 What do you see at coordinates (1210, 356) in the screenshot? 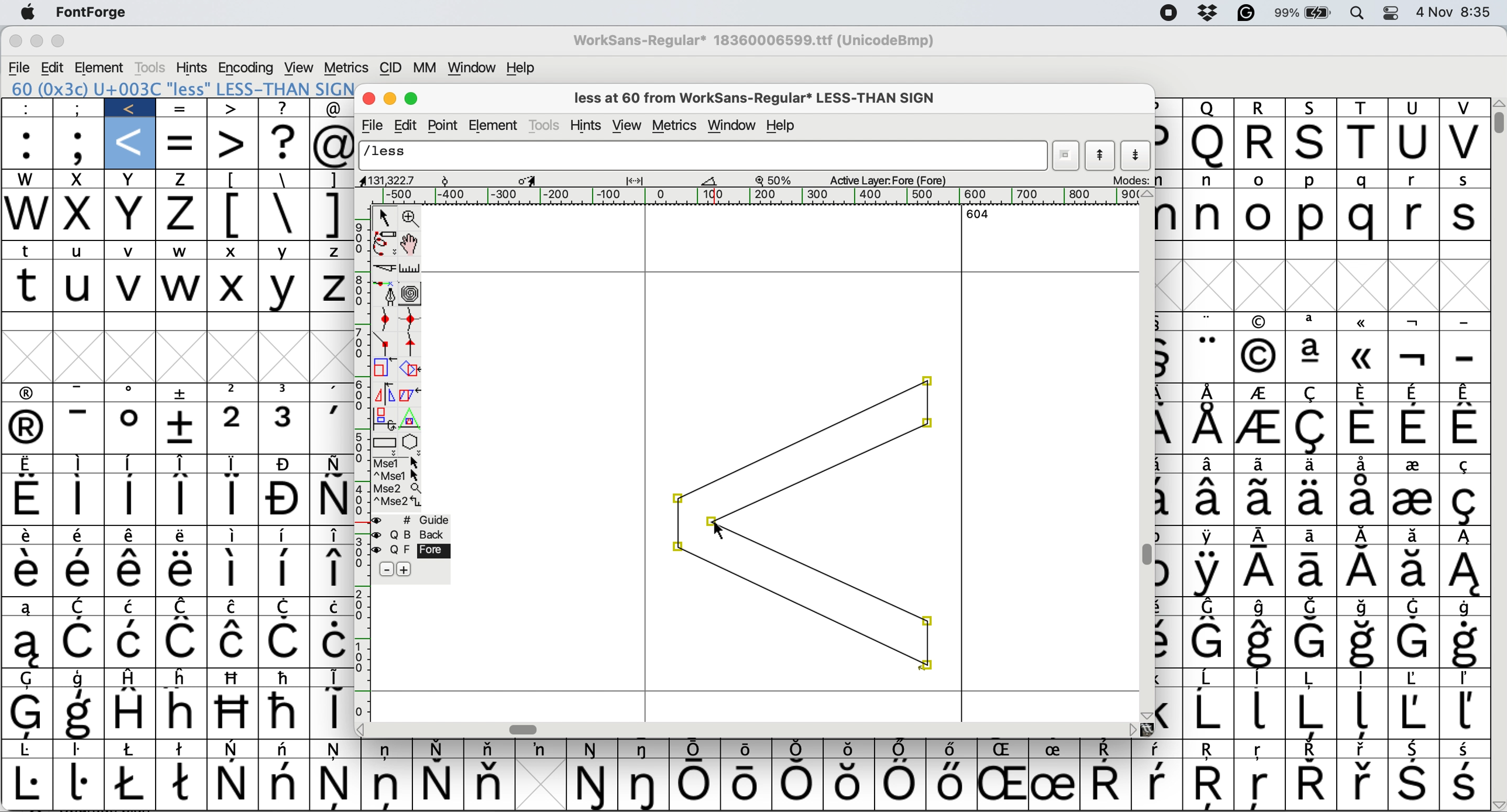
I see `Symbol` at bounding box center [1210, 356].